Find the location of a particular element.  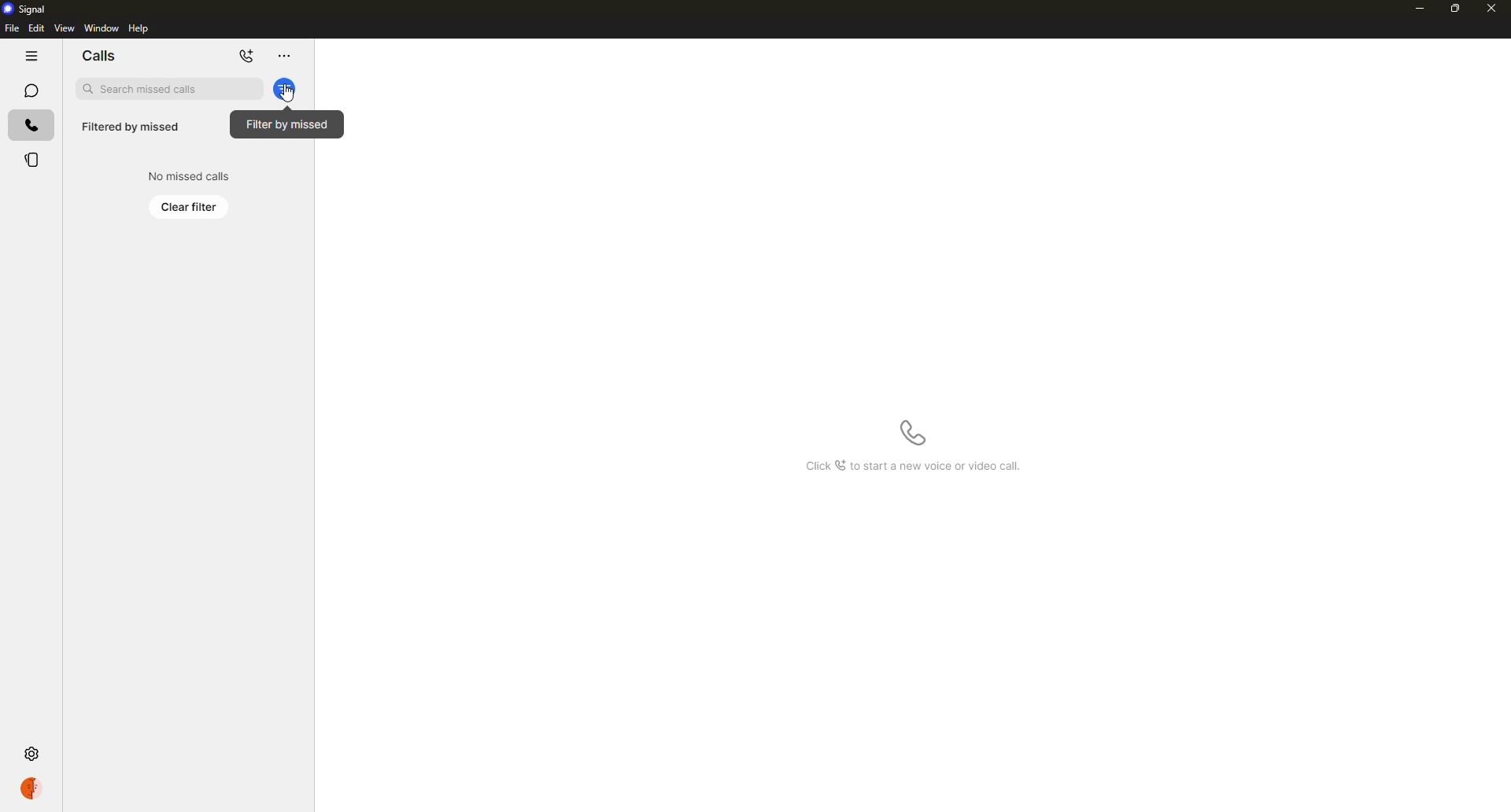

start a voice call is located at coordinates (914, 434).